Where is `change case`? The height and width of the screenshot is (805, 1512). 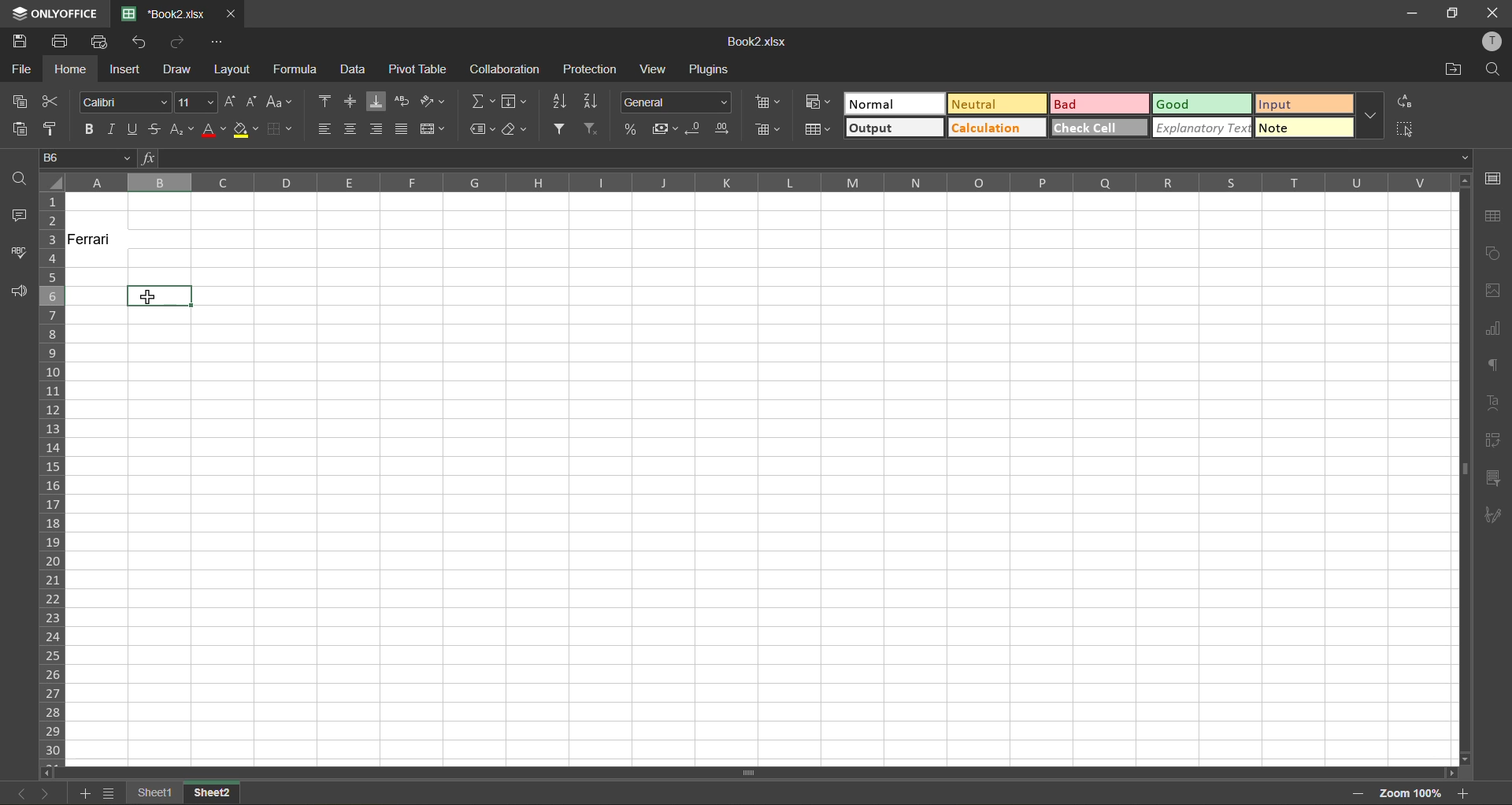 change case is located at coordinates (280, 103).